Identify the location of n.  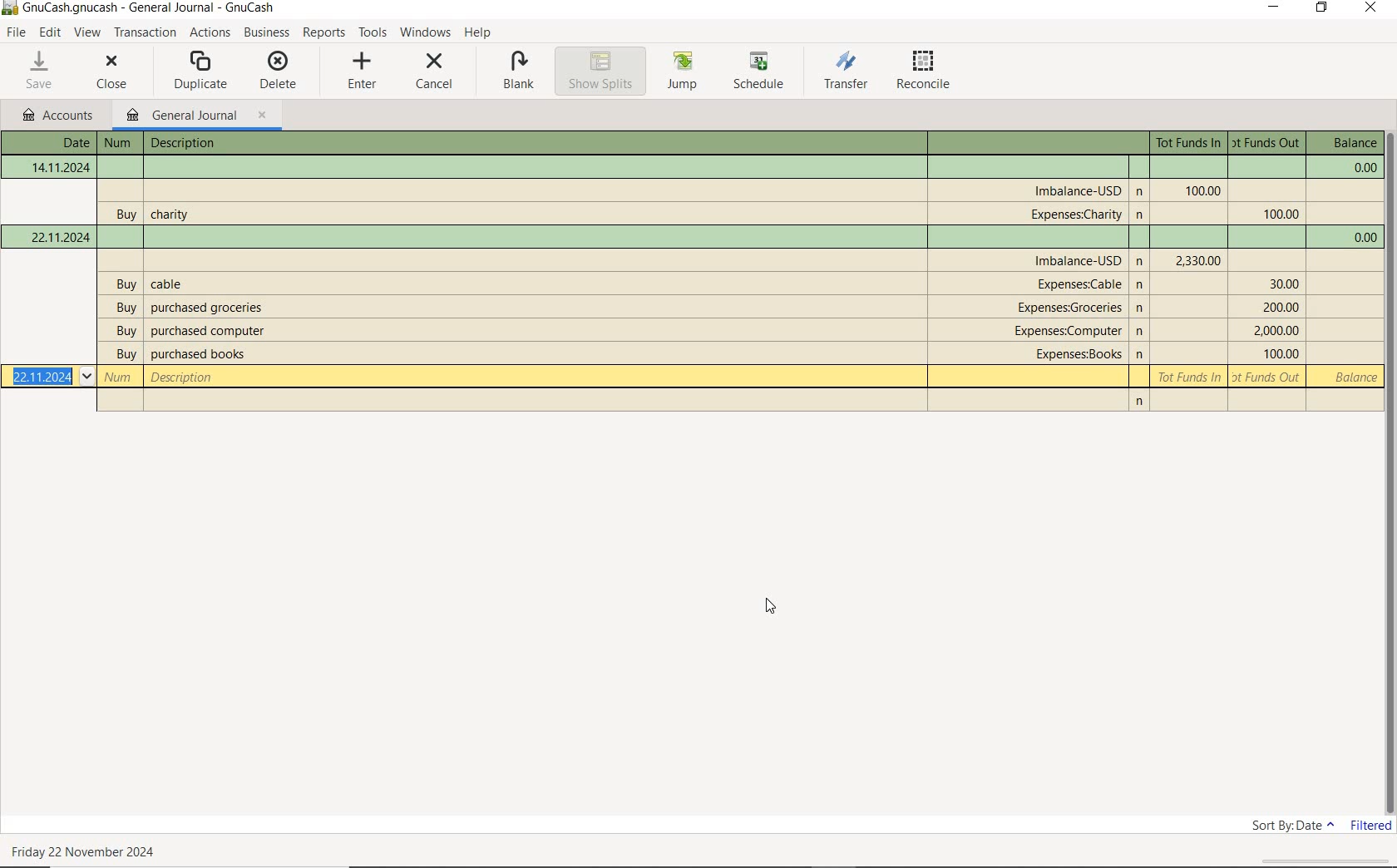
(1140, 403).